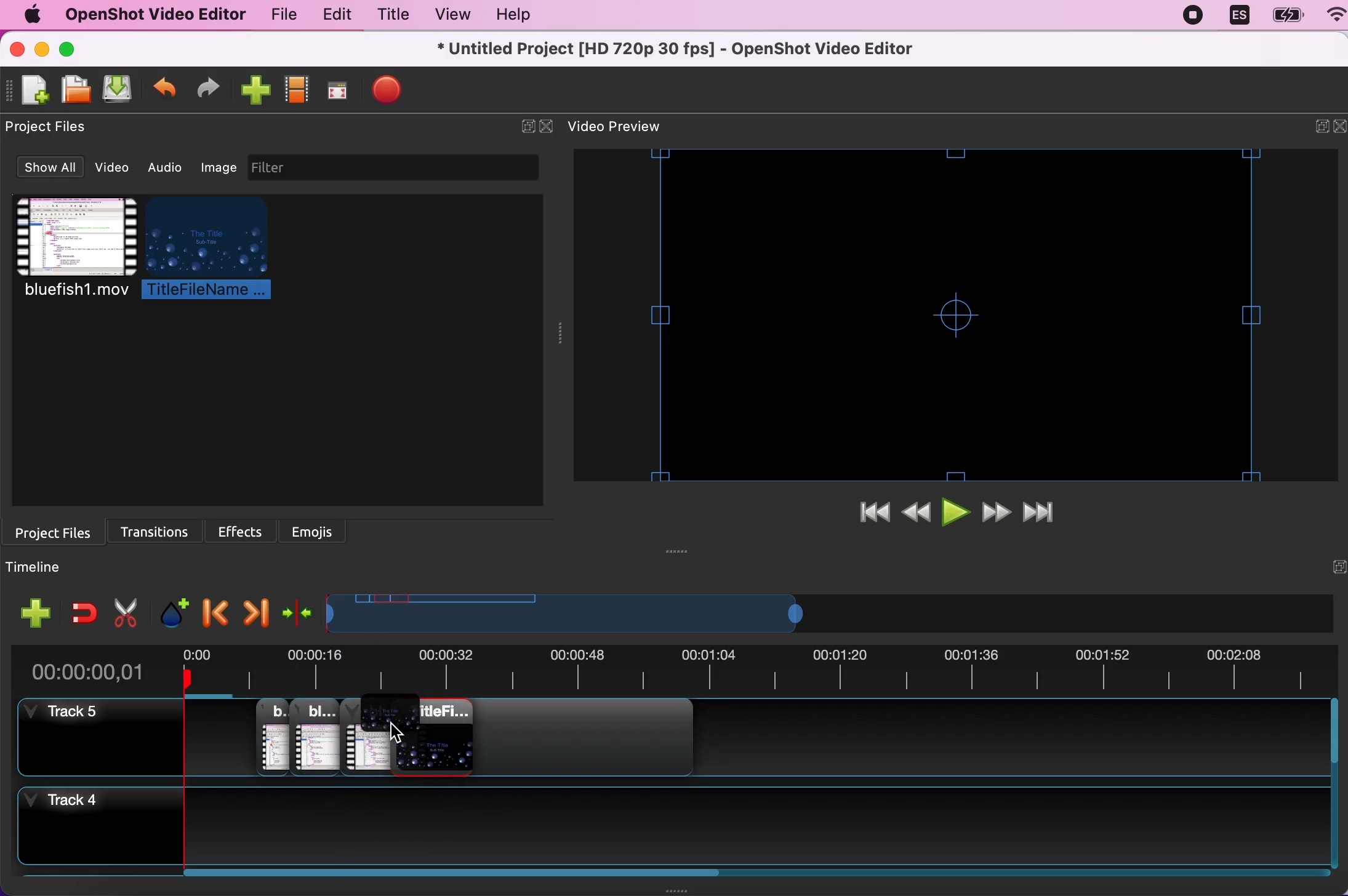 This screenshot has height=896, width=1348. I want to click on video preview, so click(628, 127).